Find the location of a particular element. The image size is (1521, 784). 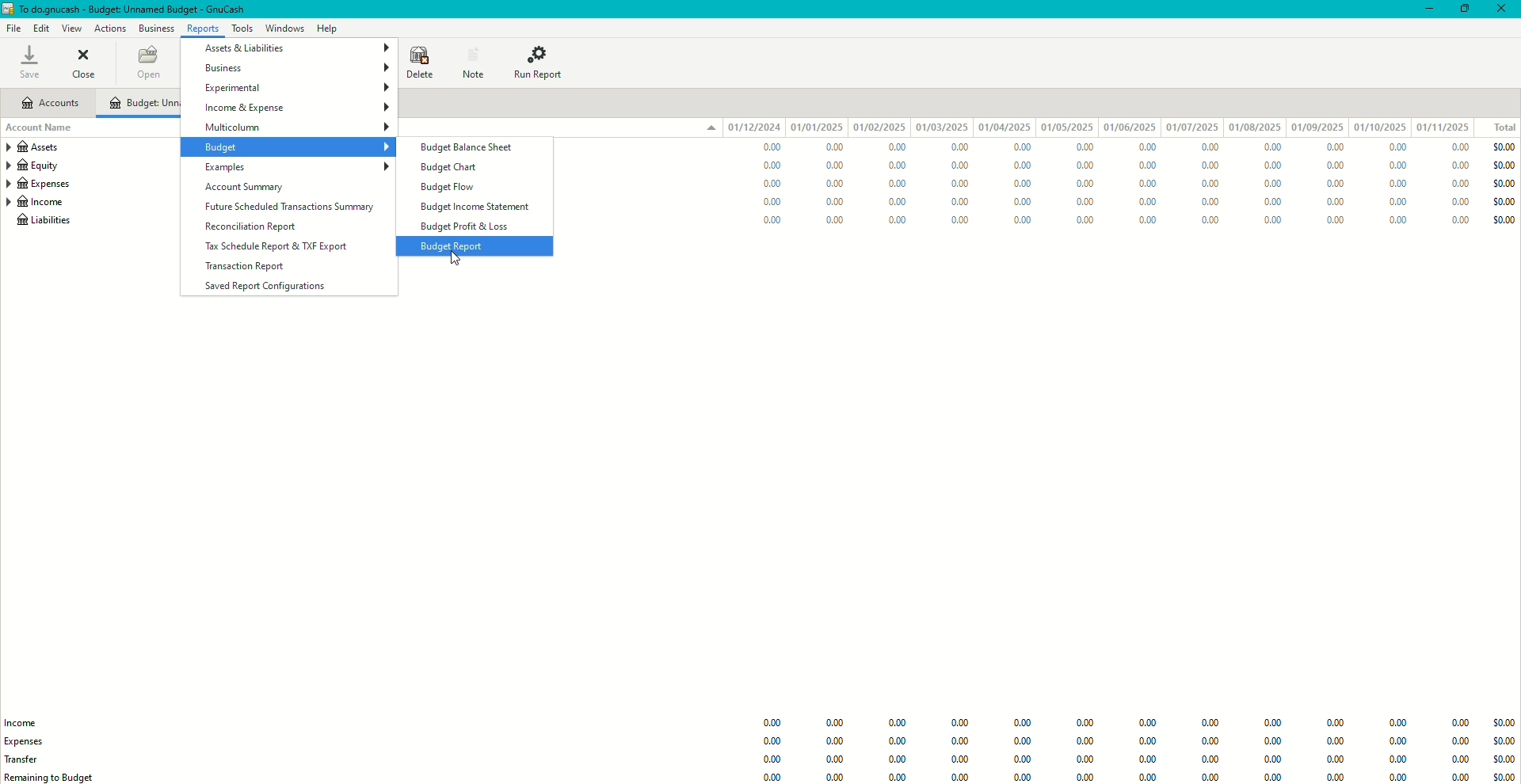

Tools is located at coordinates (240, 28).